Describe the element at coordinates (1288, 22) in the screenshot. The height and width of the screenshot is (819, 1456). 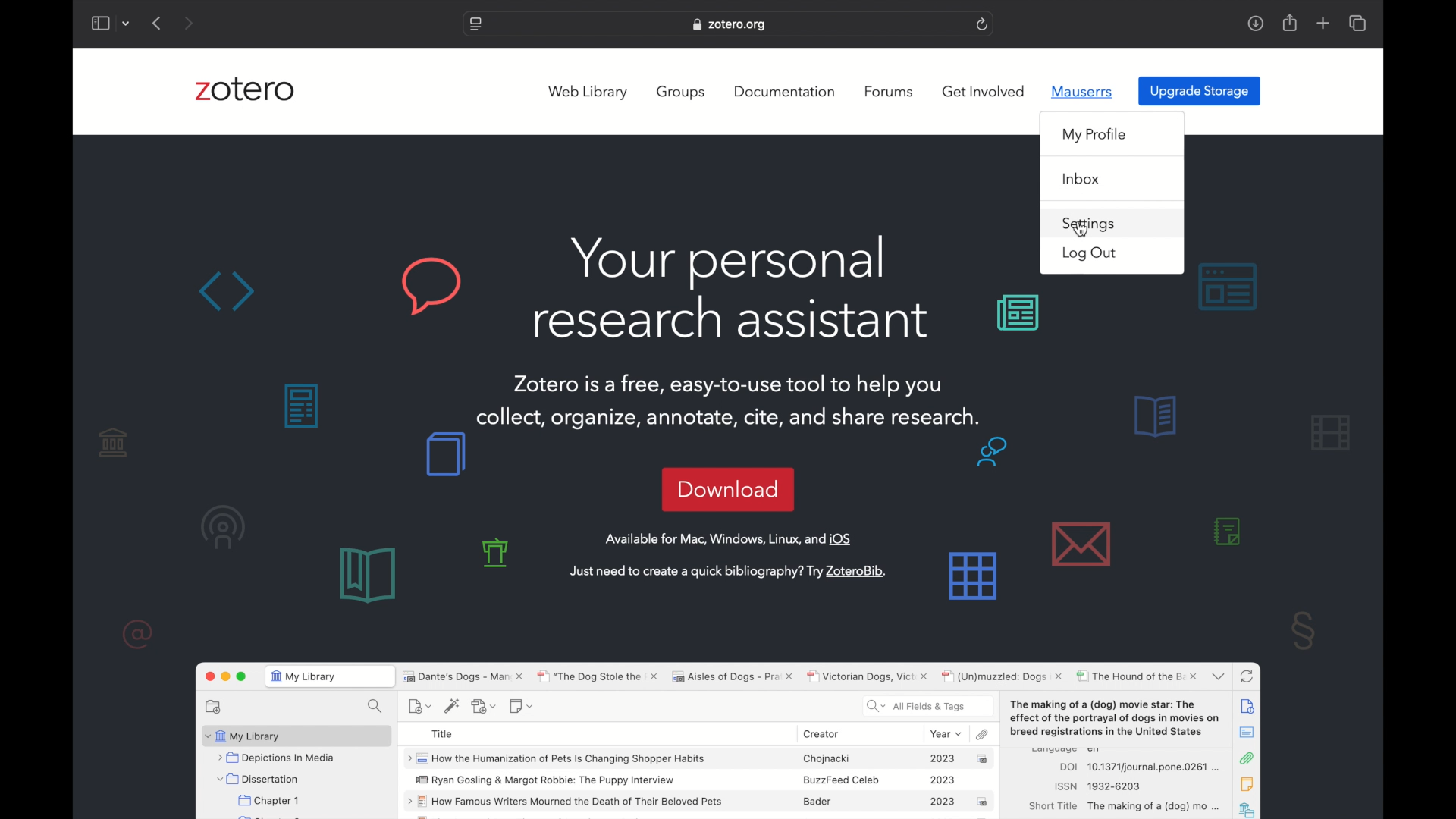
I see `share` at that location.